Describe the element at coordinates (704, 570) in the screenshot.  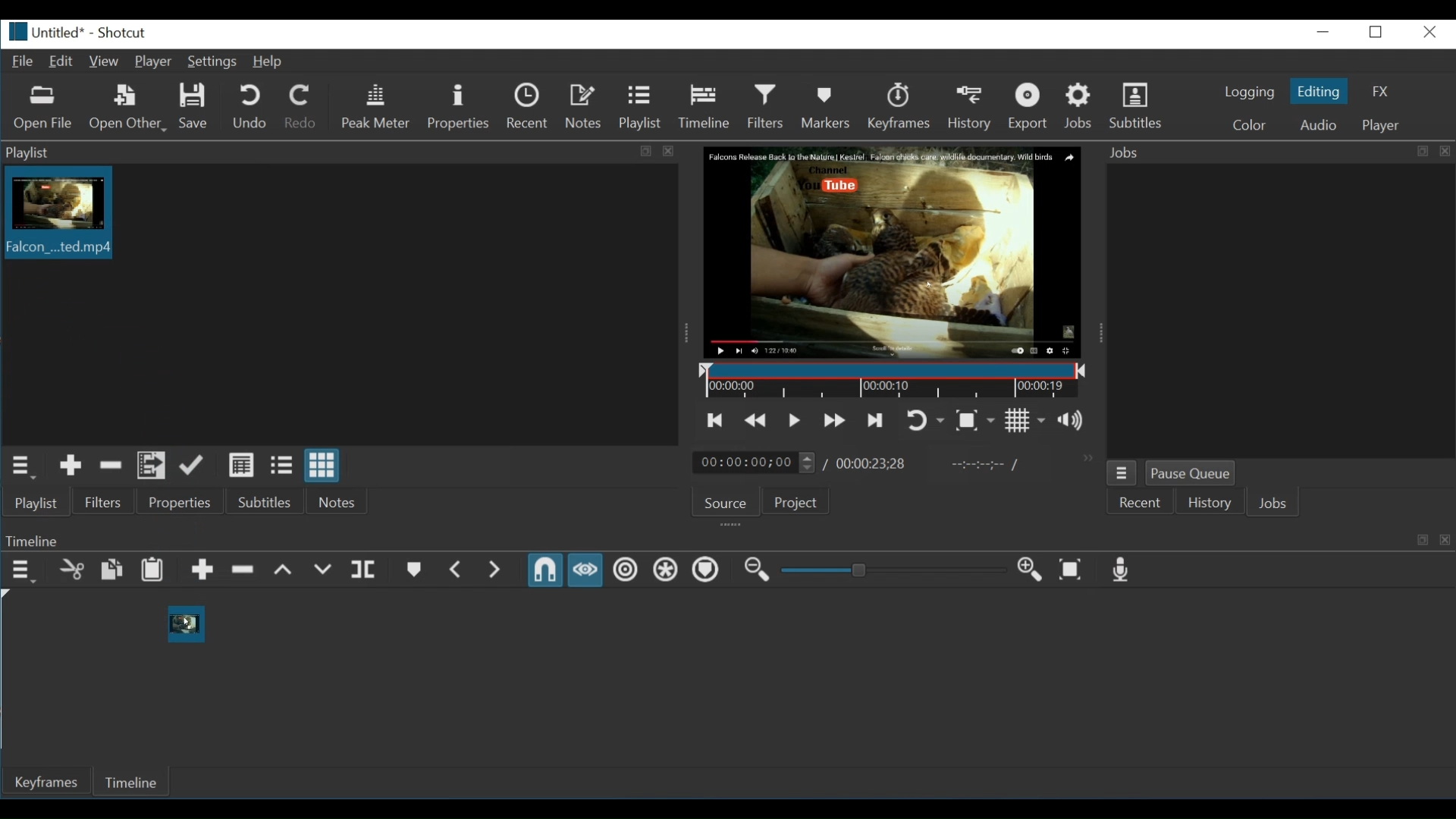
I see `Ripple markers` at that location.